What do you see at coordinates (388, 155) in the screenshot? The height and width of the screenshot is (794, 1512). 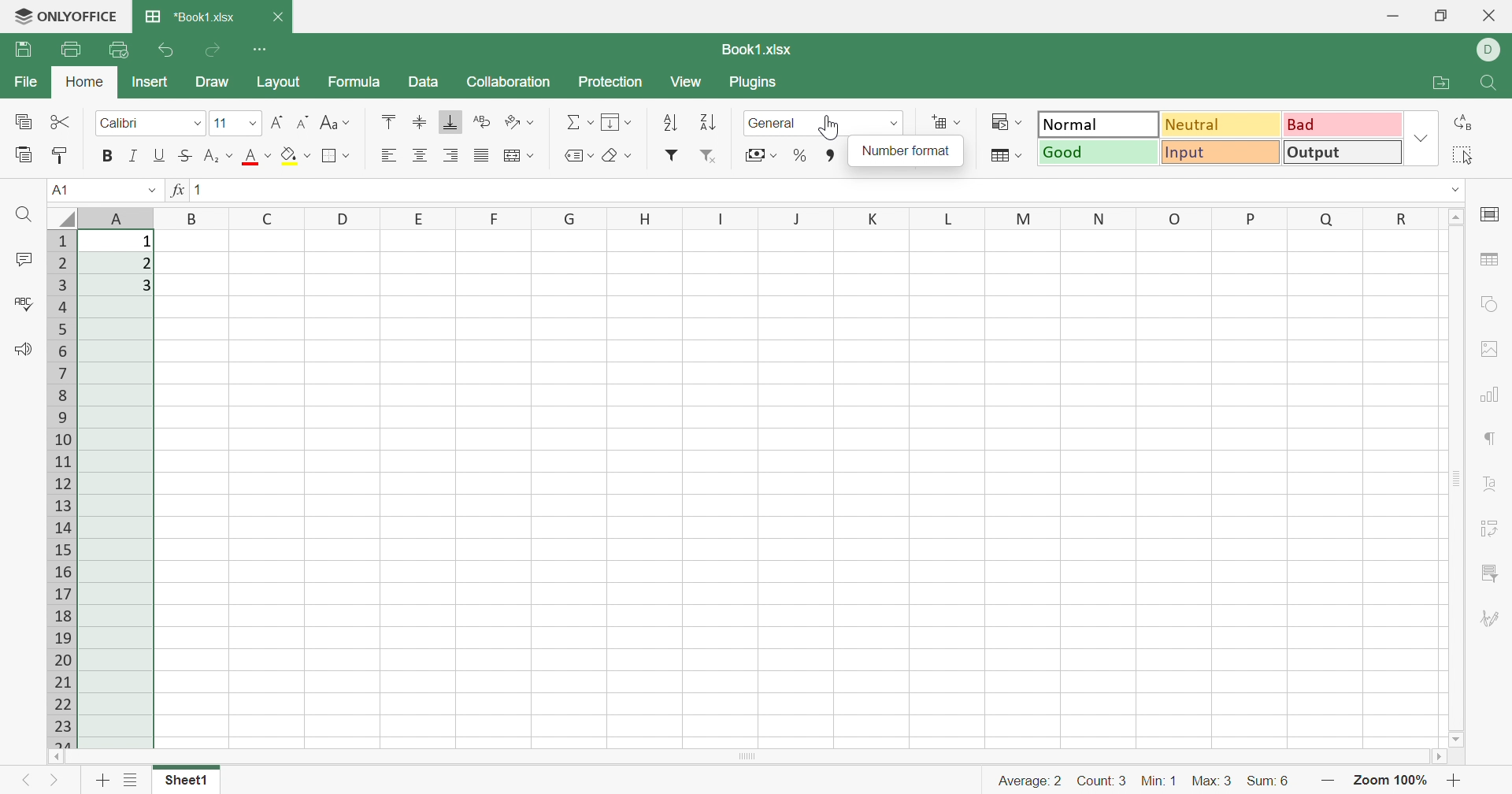 I see `Align left` at bounding box center [388, 155].